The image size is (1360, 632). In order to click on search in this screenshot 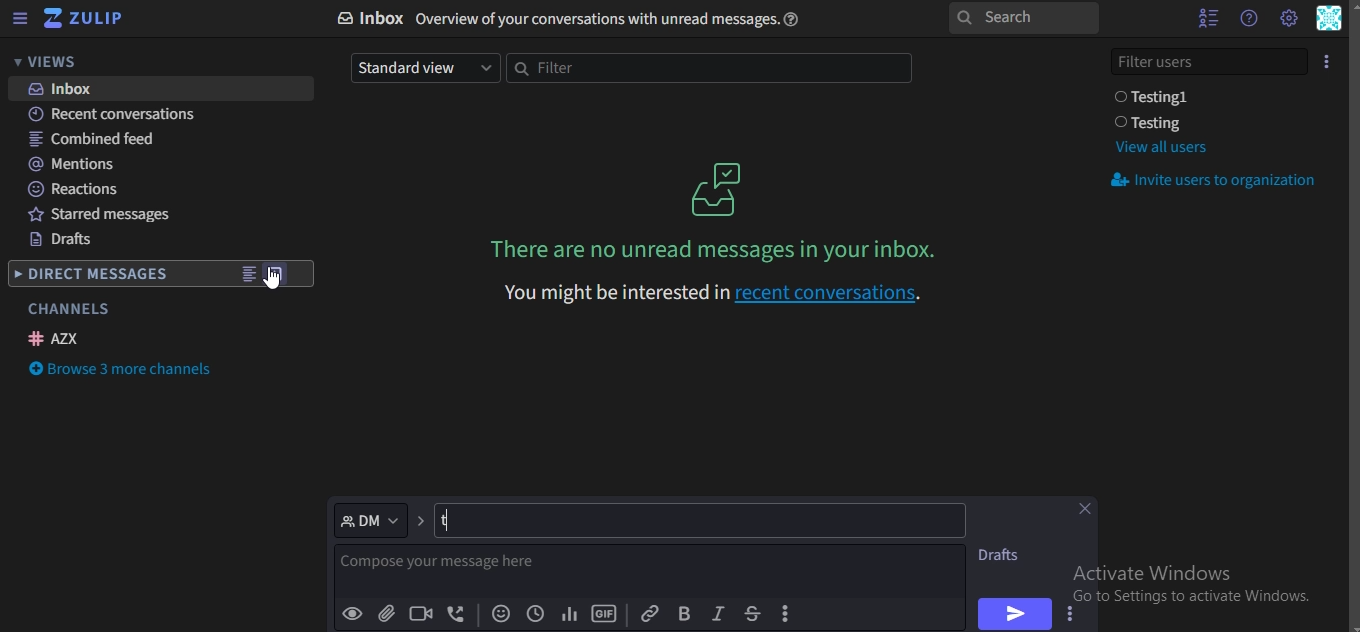, I will do `click(1022, 19)`.